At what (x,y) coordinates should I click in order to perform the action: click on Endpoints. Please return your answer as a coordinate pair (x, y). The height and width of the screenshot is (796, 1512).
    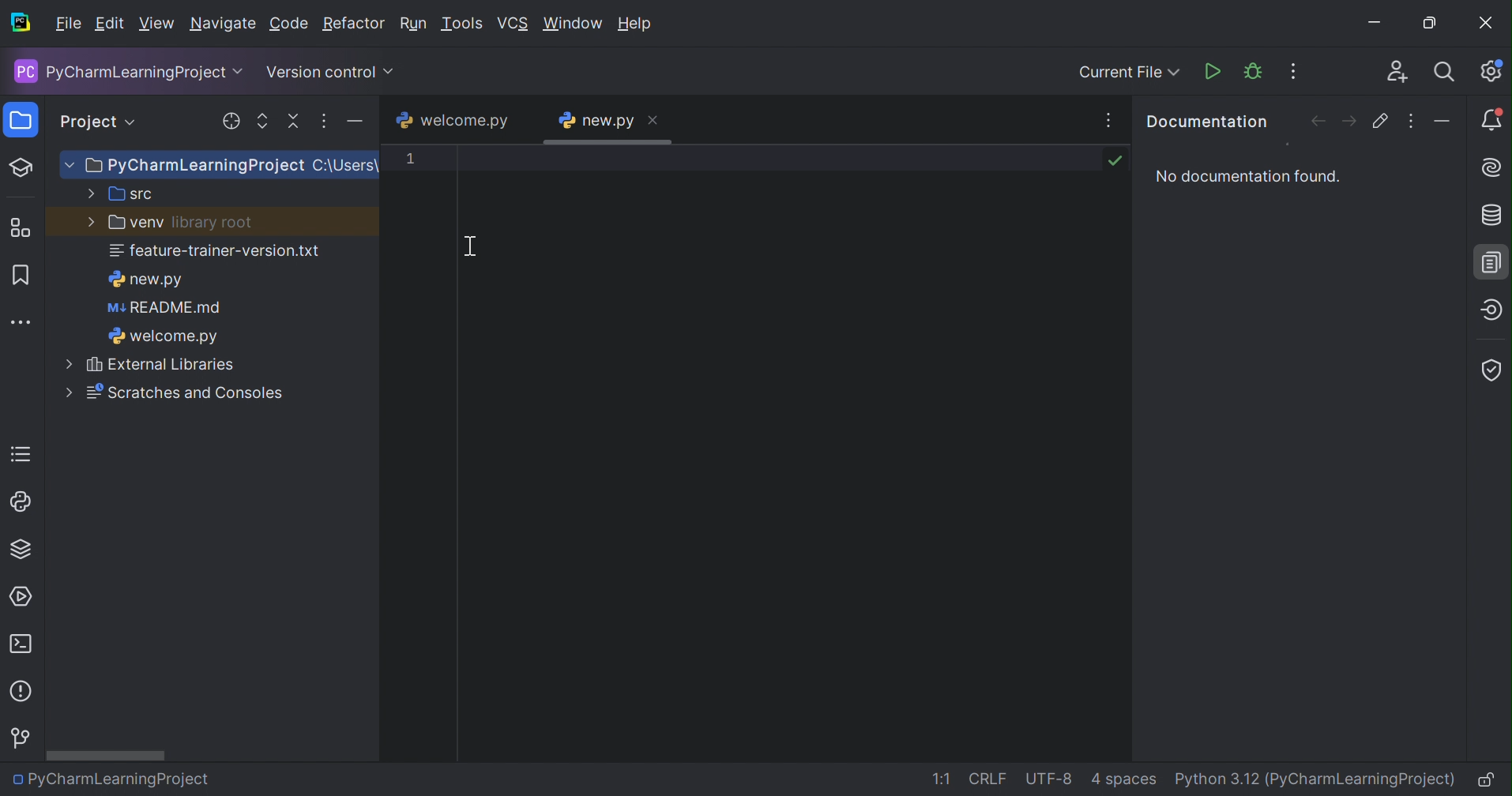
    Looking at the image, I should click on (1491, 310).